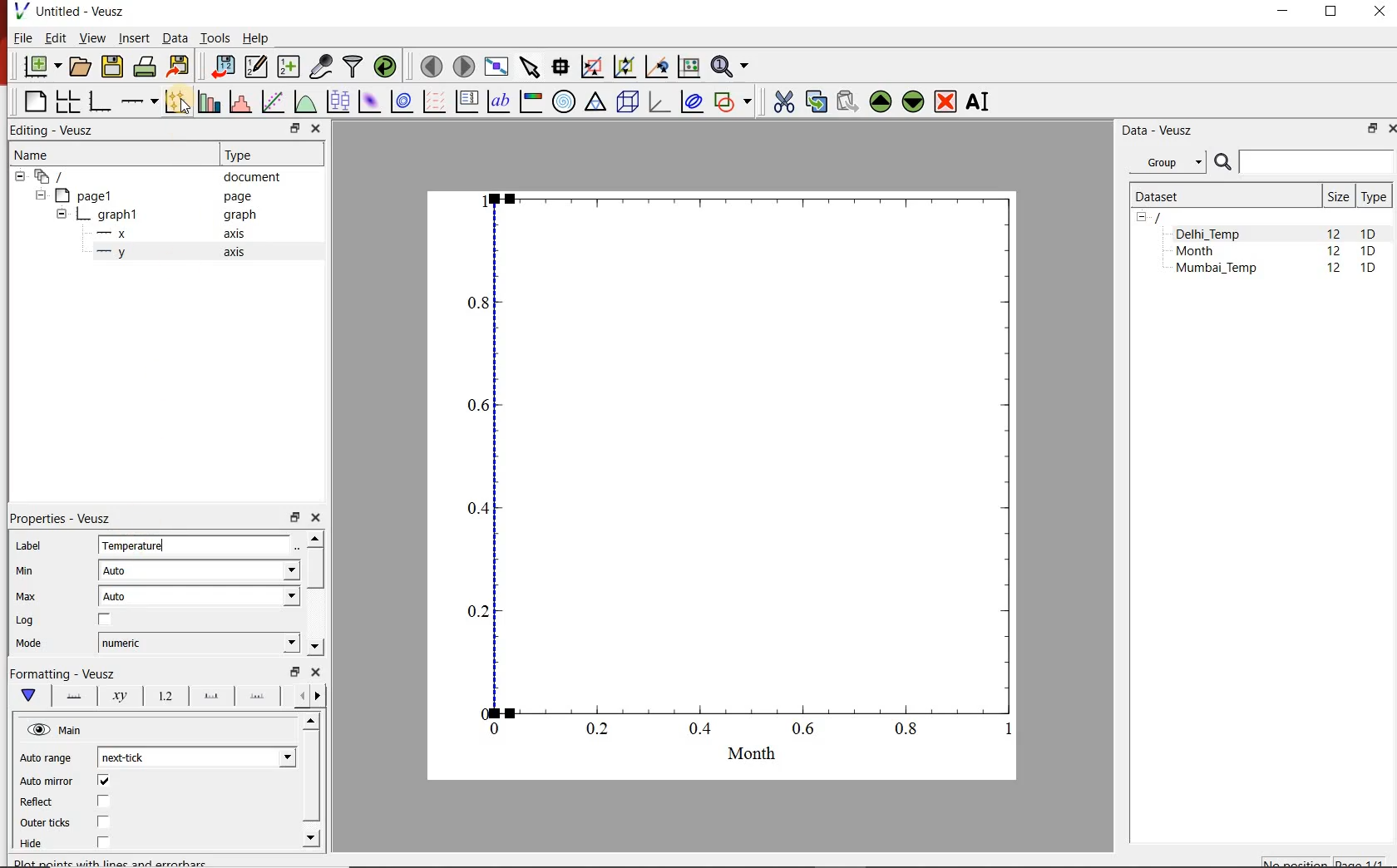  I want to click on -y axis, so click(164, 254).